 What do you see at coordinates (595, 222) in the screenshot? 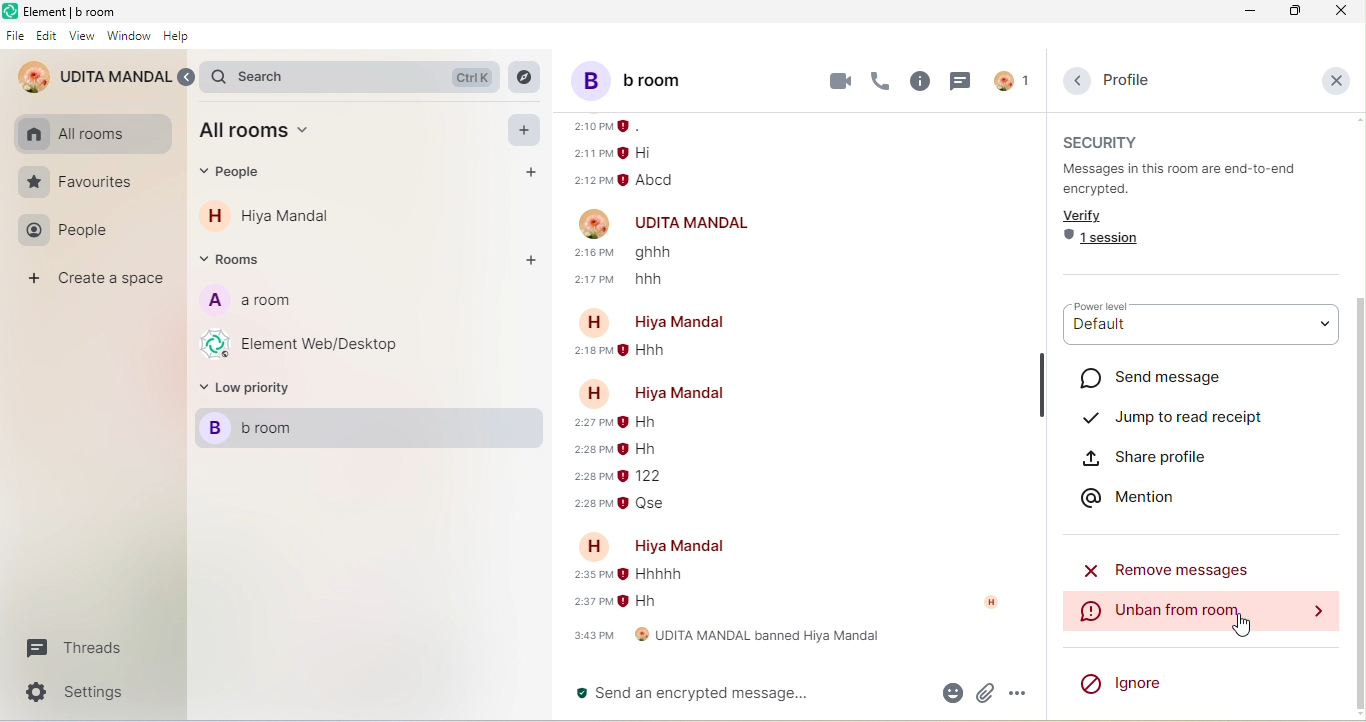
I see `account profile image` at bounding box center [595, 222].